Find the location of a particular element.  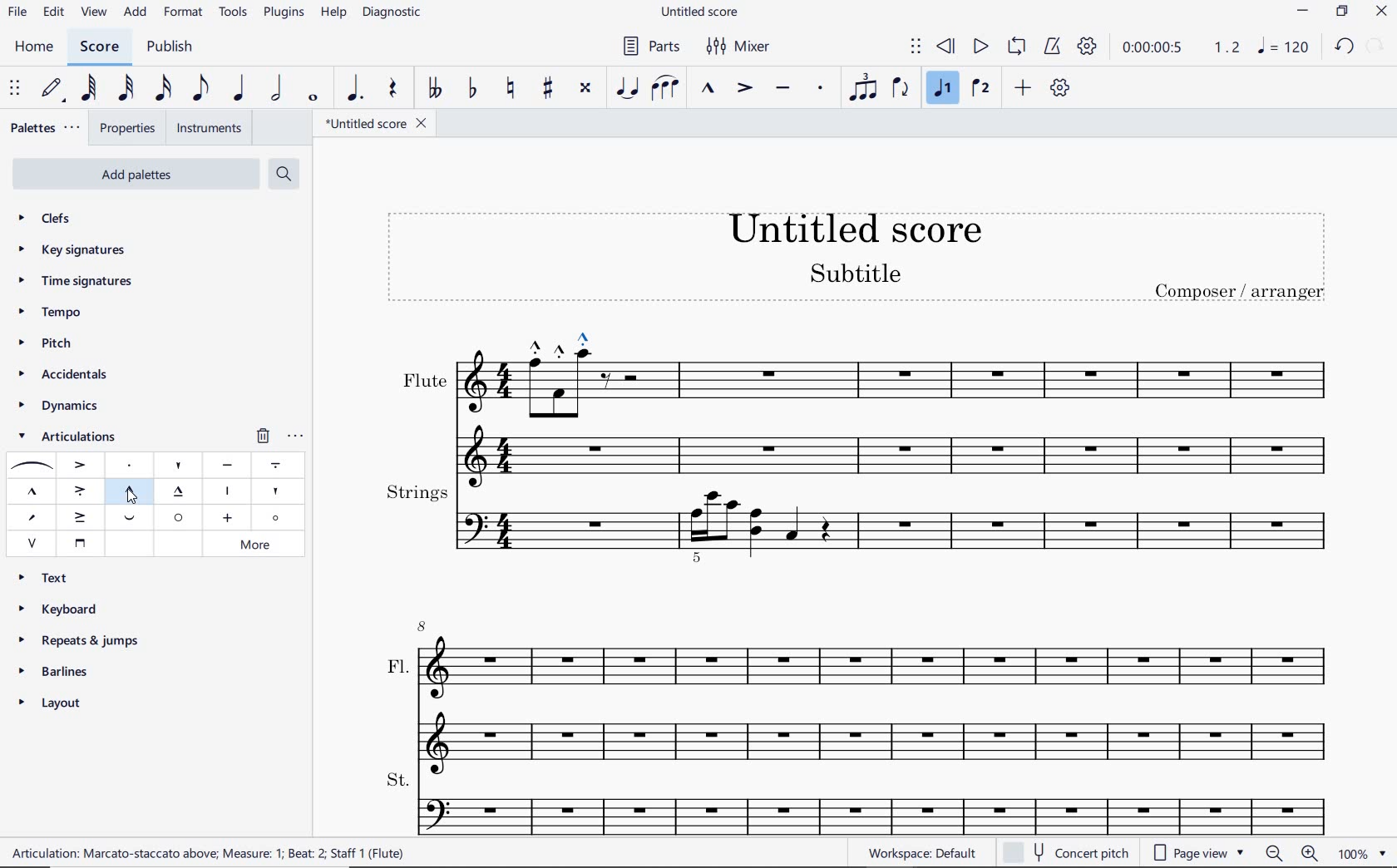

PLAYBACK SETTINGS is located at coordinates (1087, 46).